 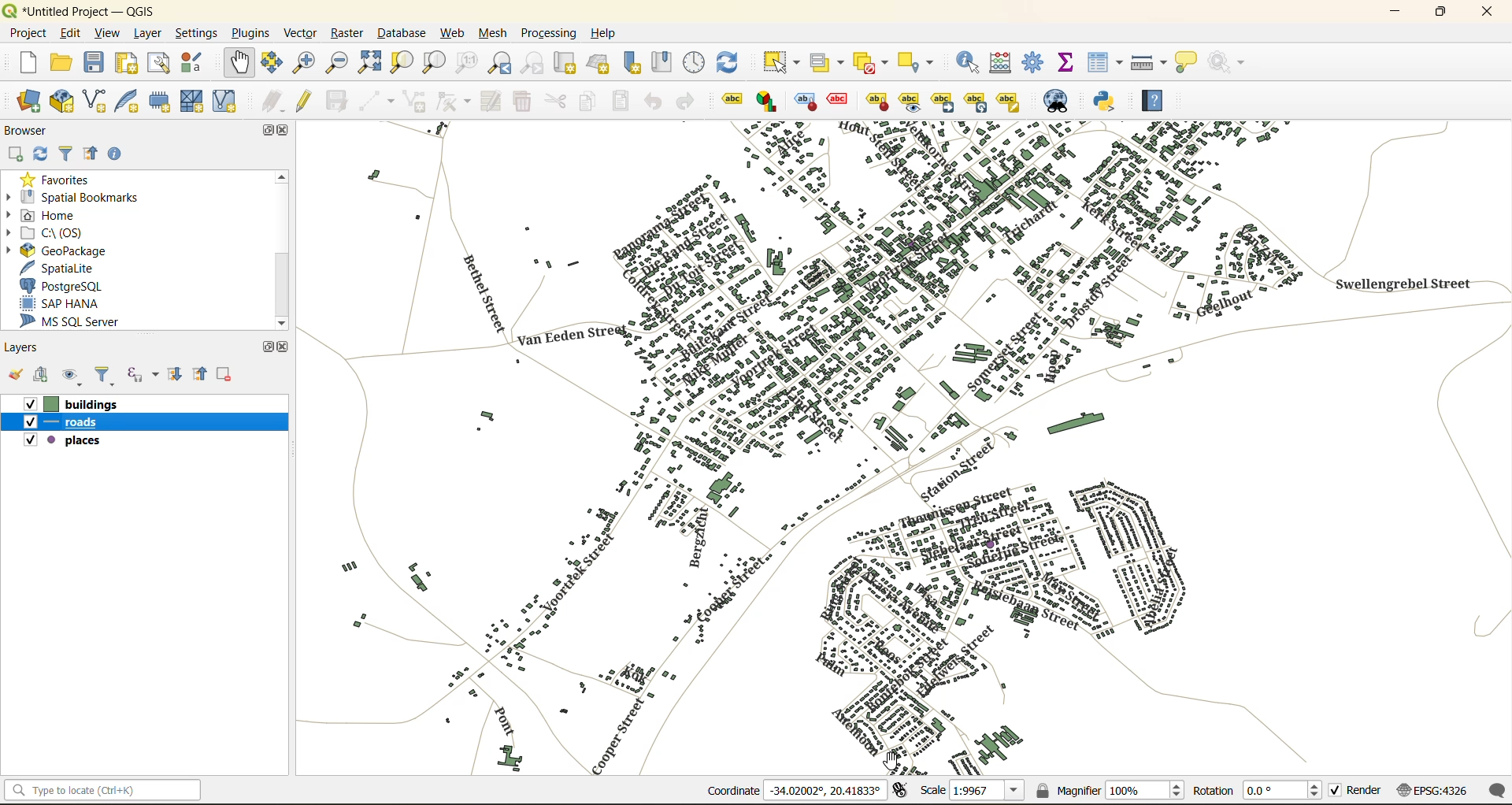 I want to click on new, so click(x=22, y=63).